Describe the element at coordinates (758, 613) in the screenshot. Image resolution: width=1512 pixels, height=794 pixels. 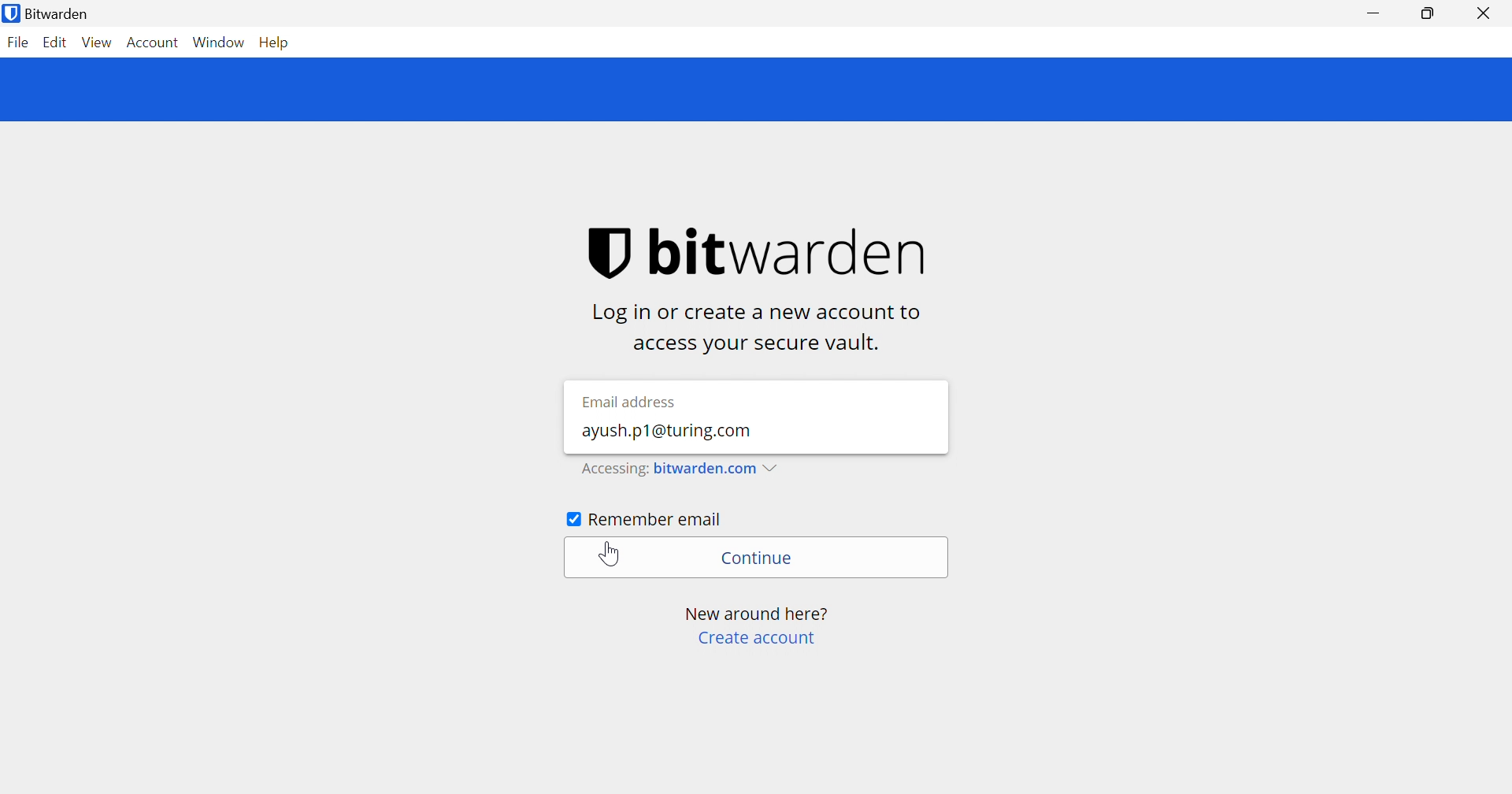
I see `New around here?` at that location.